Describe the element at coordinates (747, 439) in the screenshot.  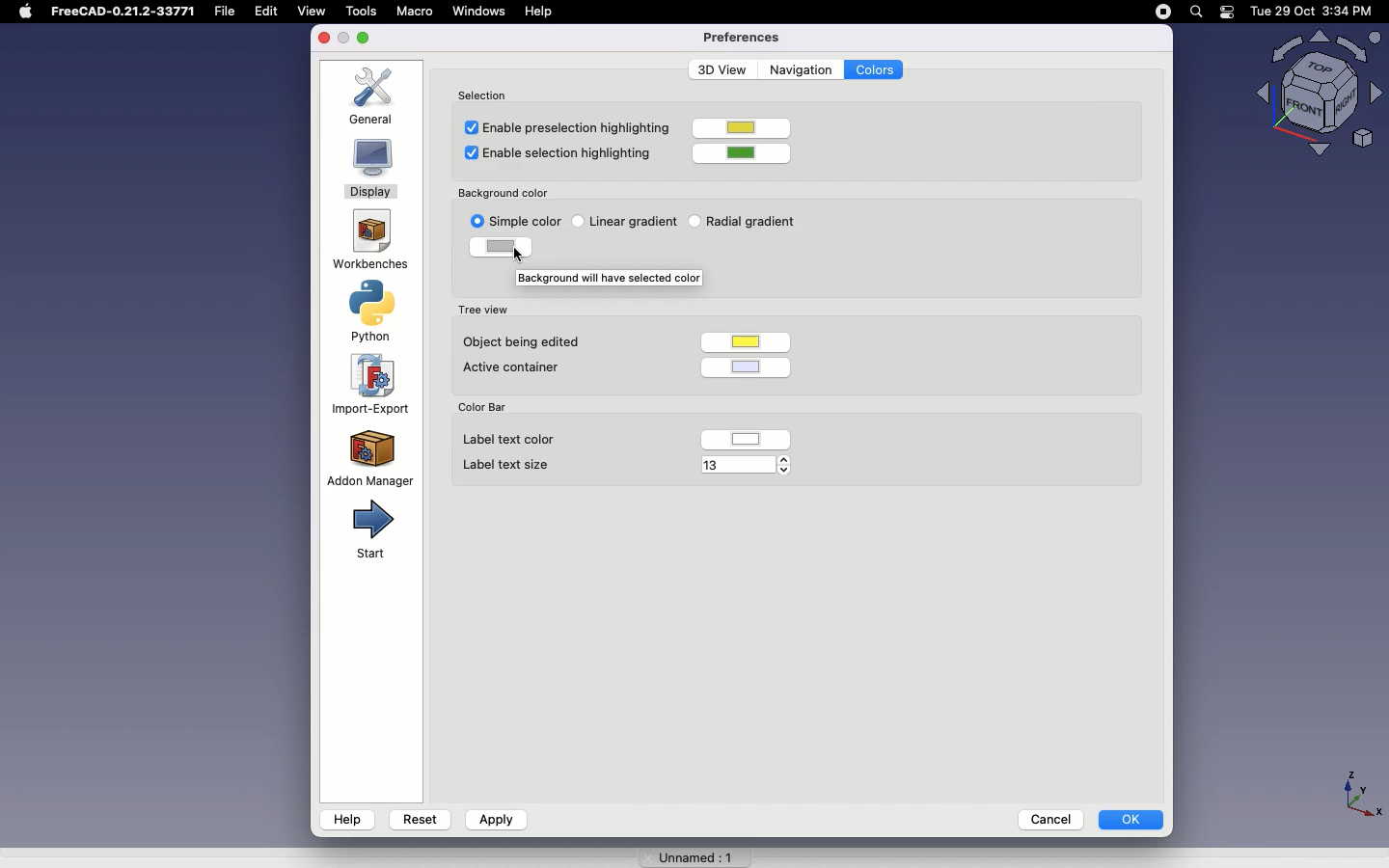
I see `color` at that location.